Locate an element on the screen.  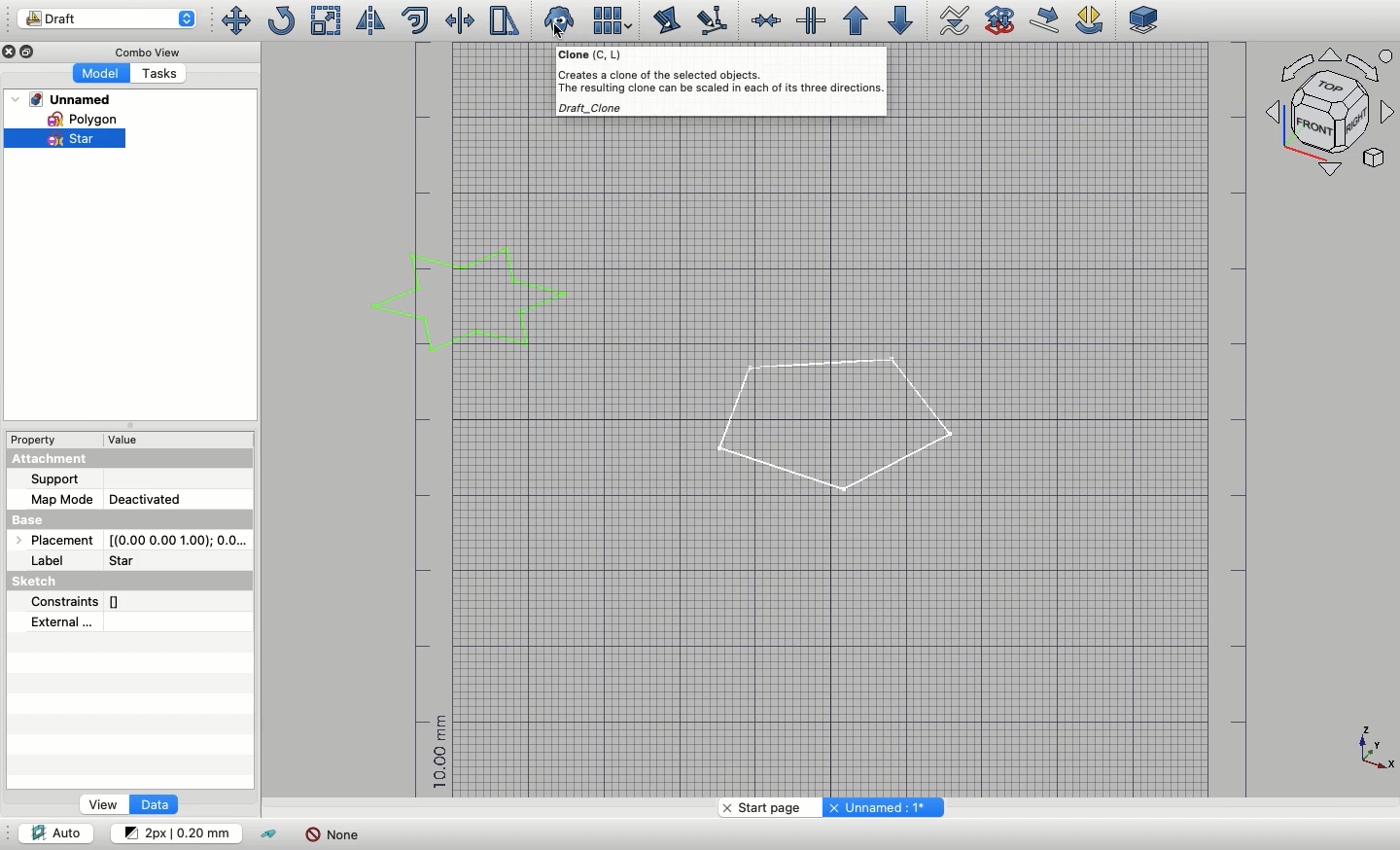
Sketch is located at coordinates (127, 580).